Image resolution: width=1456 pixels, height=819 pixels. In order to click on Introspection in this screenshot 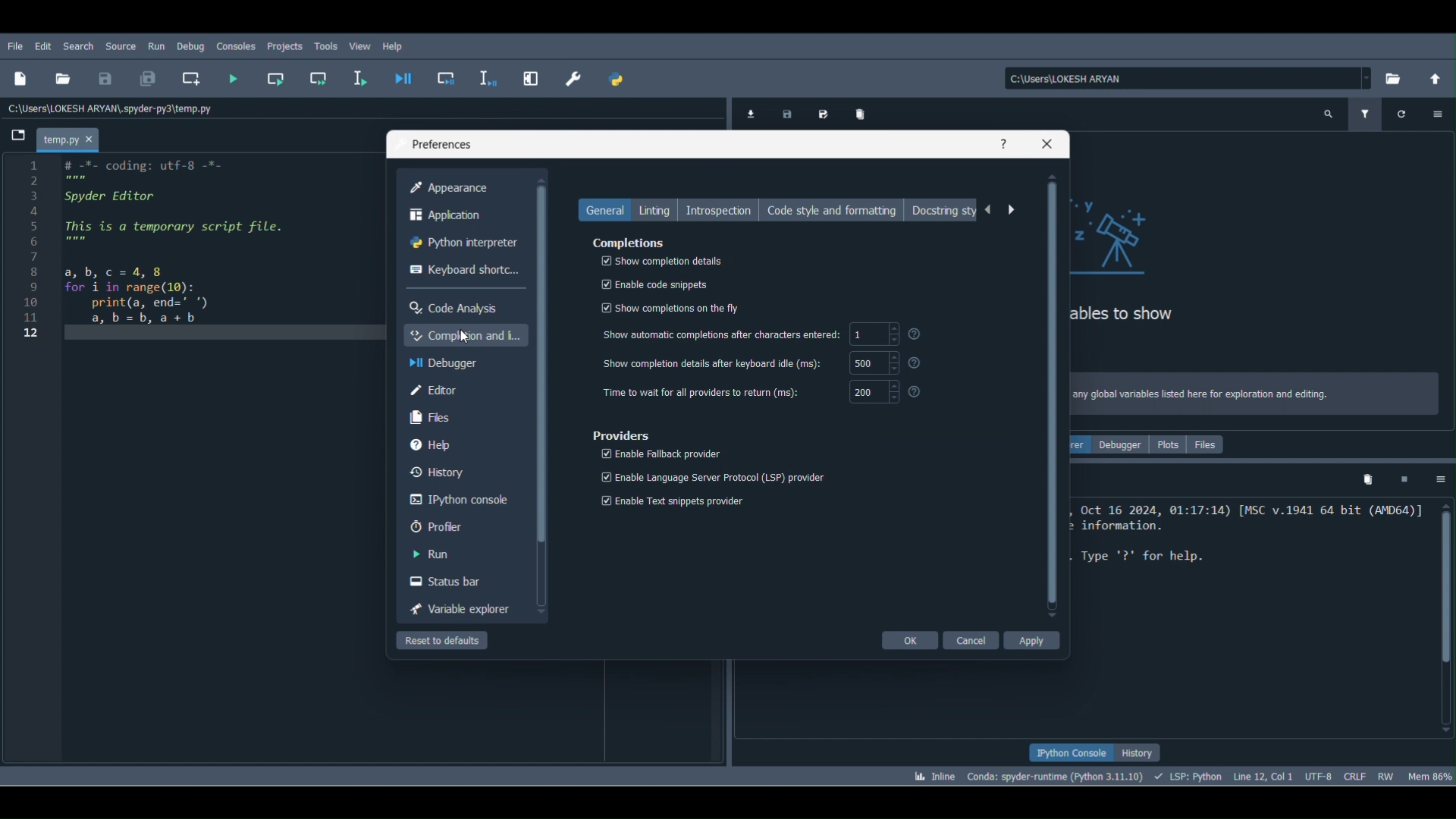, I will do `click(723, 211)`.